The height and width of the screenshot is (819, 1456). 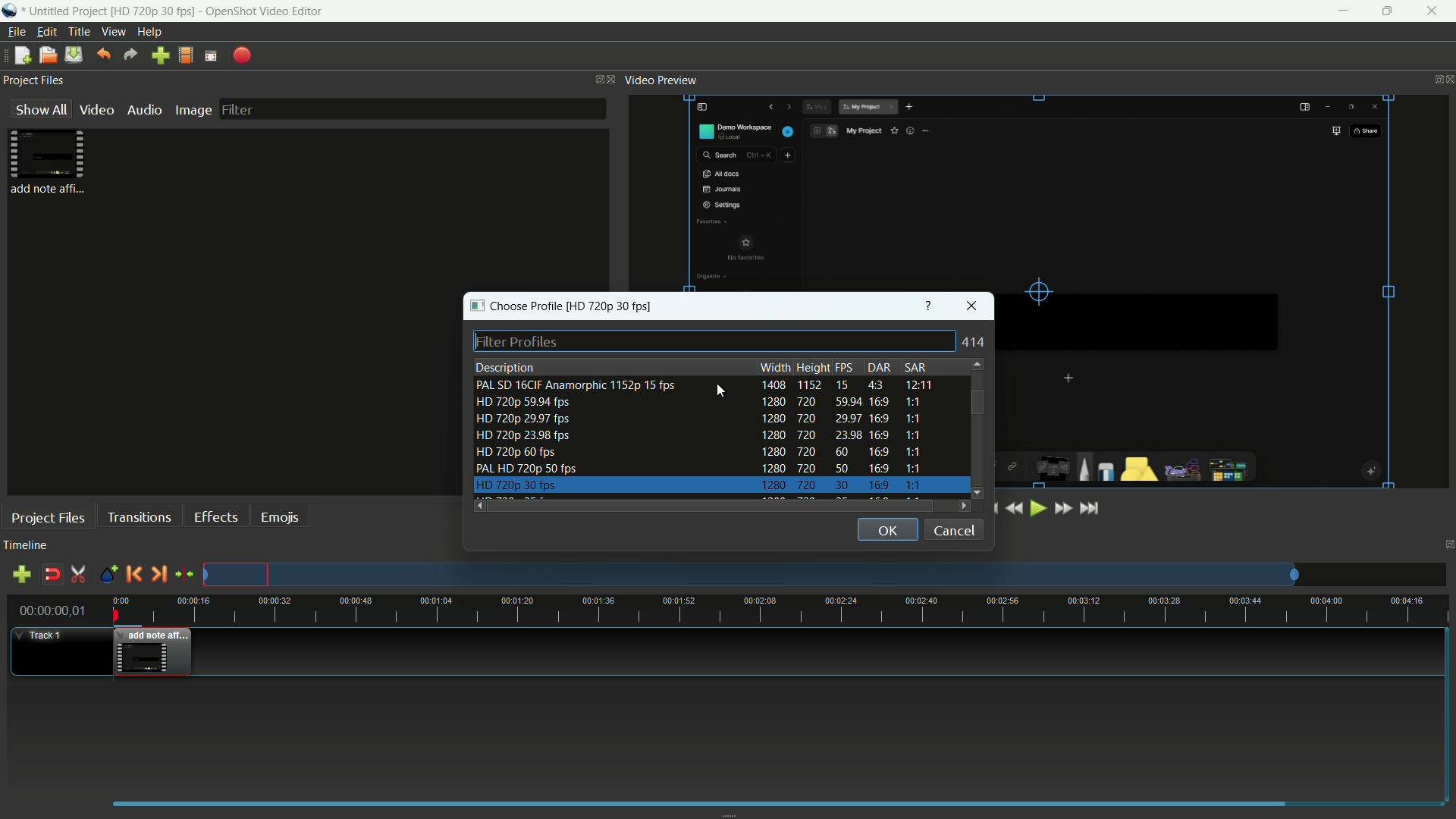 What do you see at coordinates (36, 79) in the screenshot?
I see `project files` at bounding box center [36, 79].